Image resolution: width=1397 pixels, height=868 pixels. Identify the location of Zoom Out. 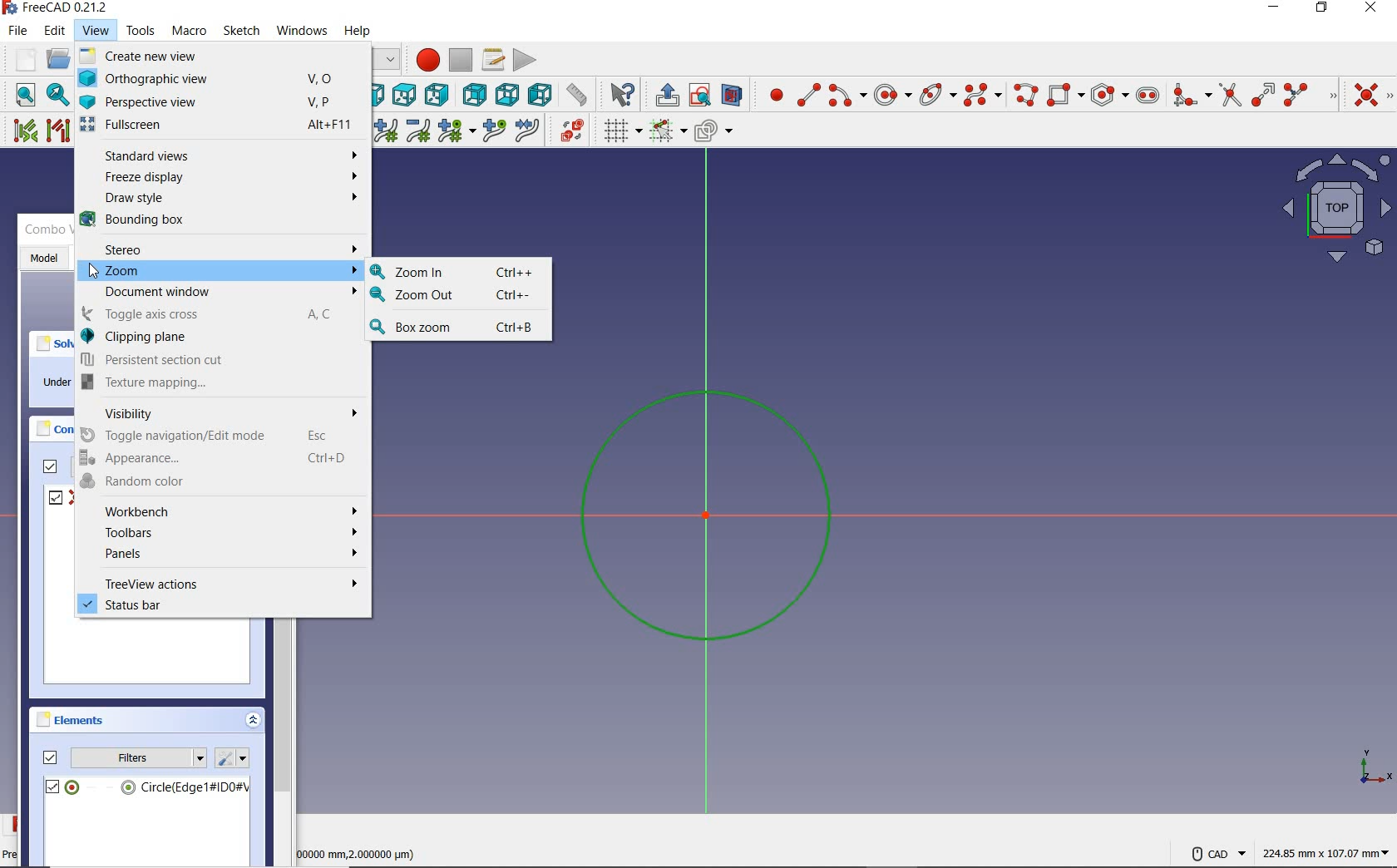
(459, 296).